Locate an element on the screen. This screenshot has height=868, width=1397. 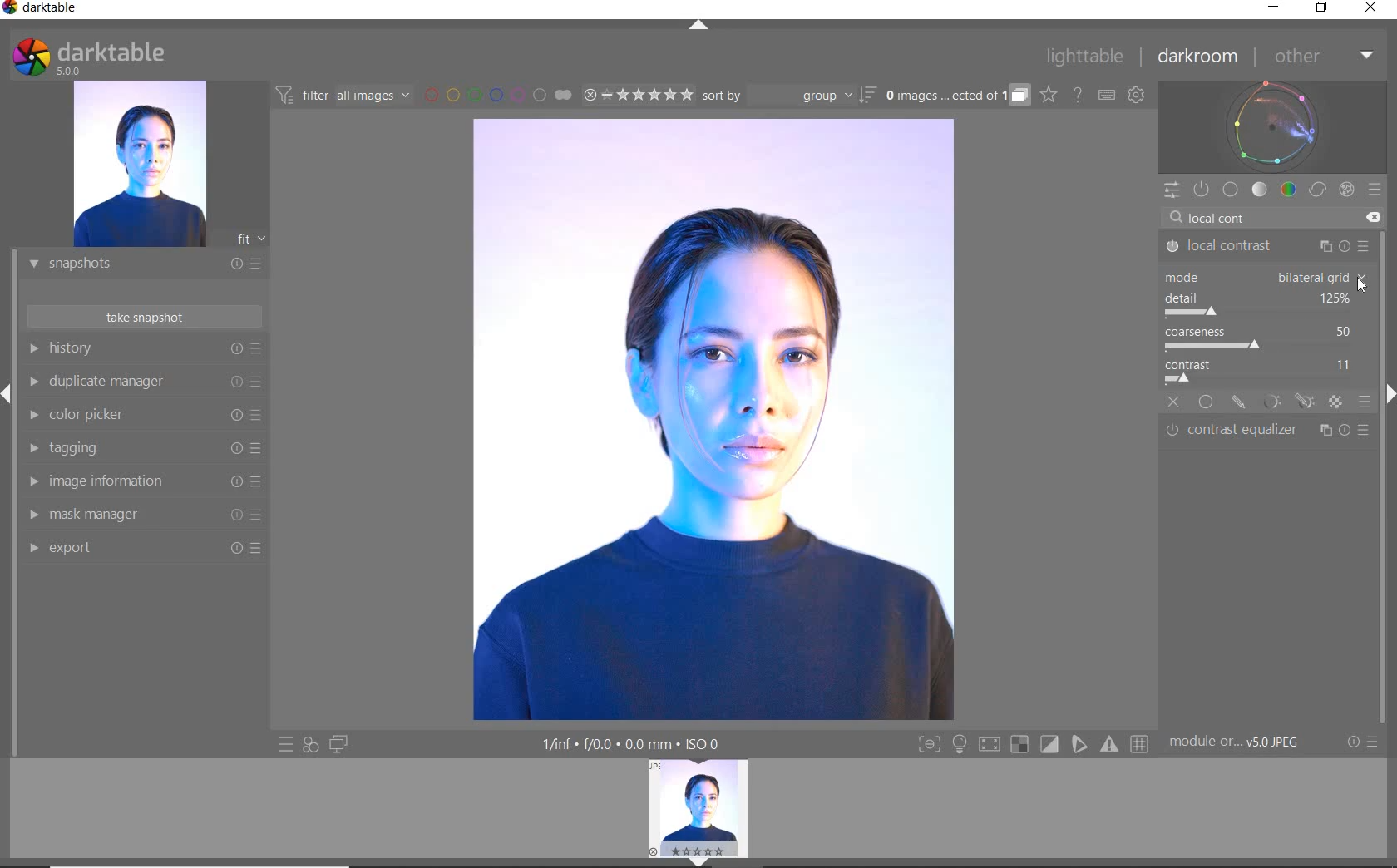
Button is located at coordinates (1050, 745).